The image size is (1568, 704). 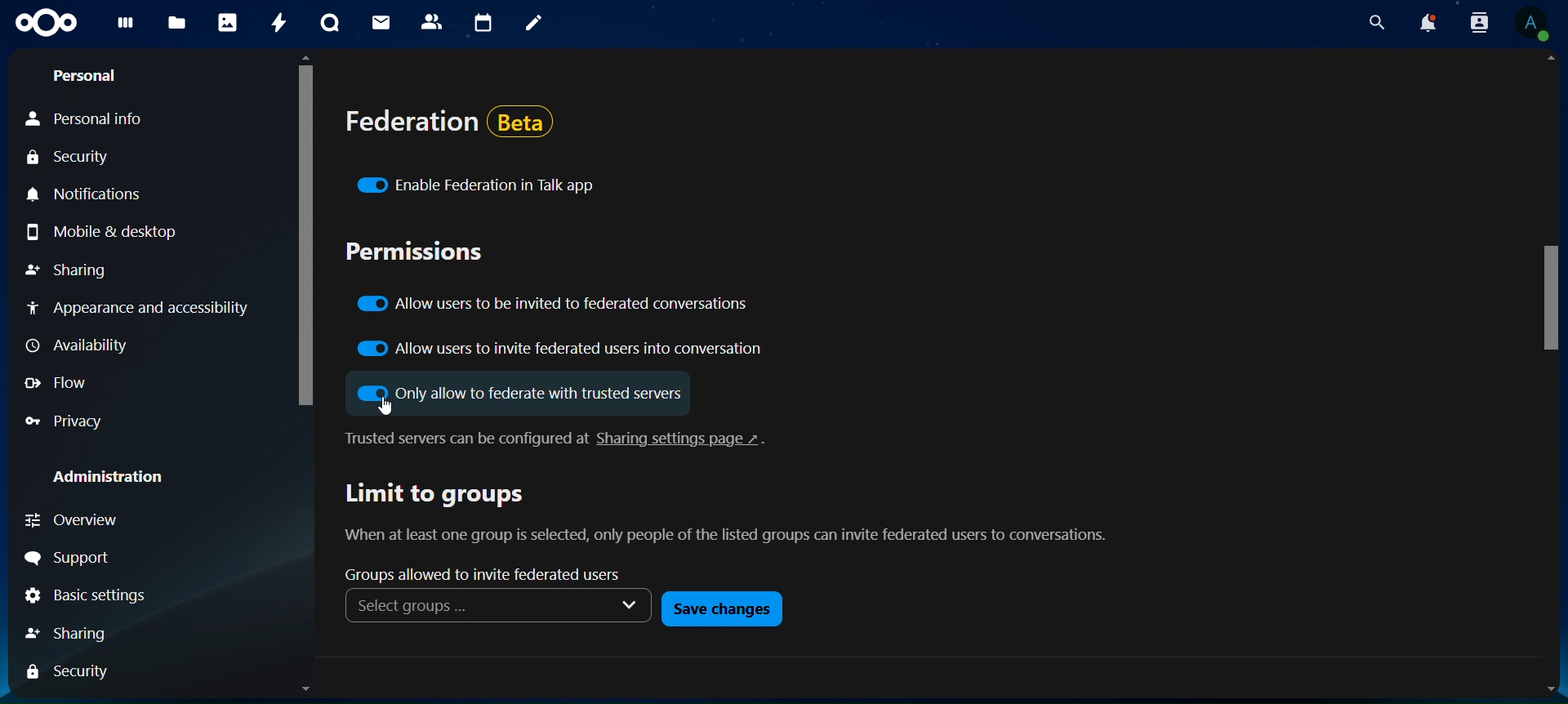 What do you see at coordinates (310, 233) in the screenshot?
I see `scroll bar` at bounding box center [310, 233].